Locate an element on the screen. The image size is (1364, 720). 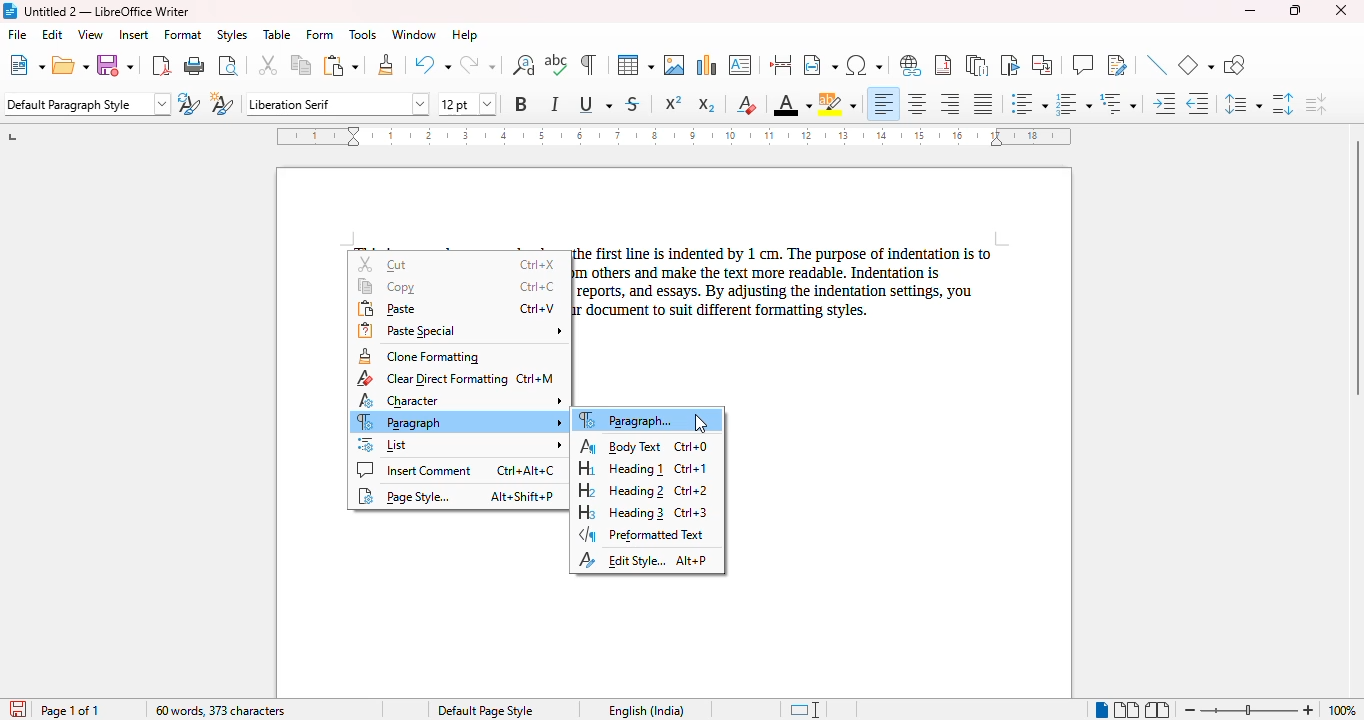
print is located at coordinates (195, 64).